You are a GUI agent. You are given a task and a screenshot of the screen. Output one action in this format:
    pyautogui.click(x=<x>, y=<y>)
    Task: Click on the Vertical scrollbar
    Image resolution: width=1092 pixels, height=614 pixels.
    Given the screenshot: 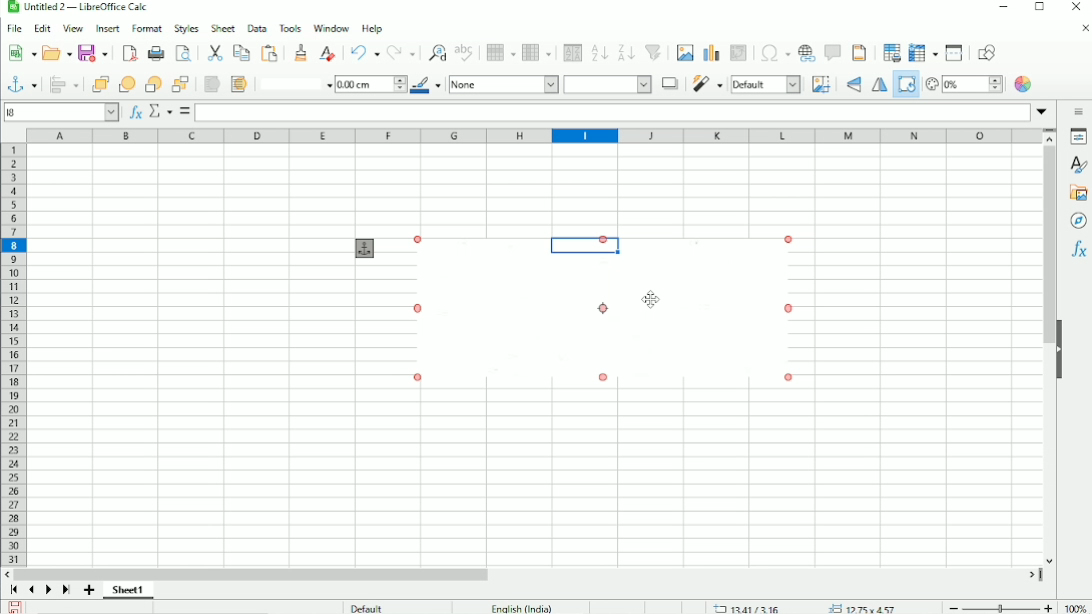 What is the action you would take?
    pyautogui.click(x=1050, y=237)
    